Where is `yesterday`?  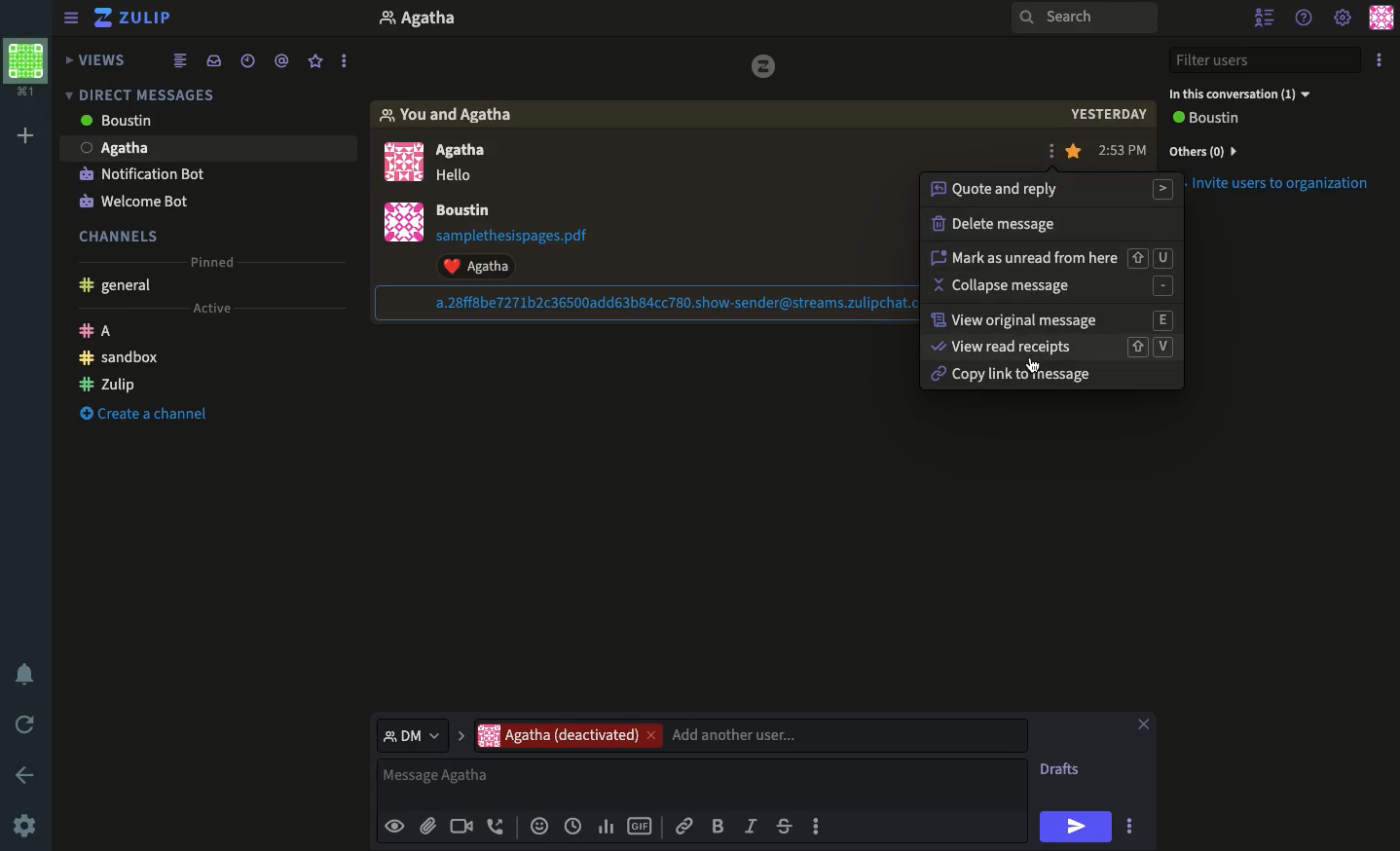 yesterday is located at coordinates (1110, 115).